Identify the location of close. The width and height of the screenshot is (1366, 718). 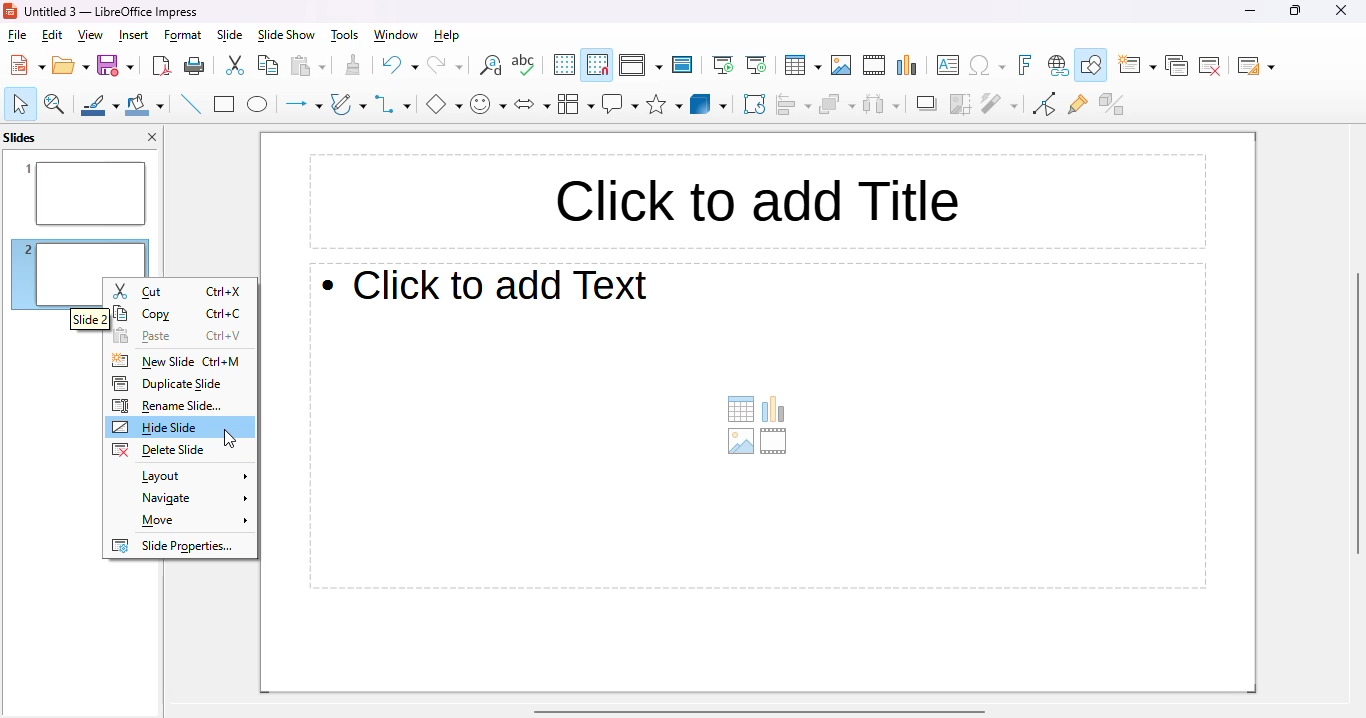
(1342, 10).